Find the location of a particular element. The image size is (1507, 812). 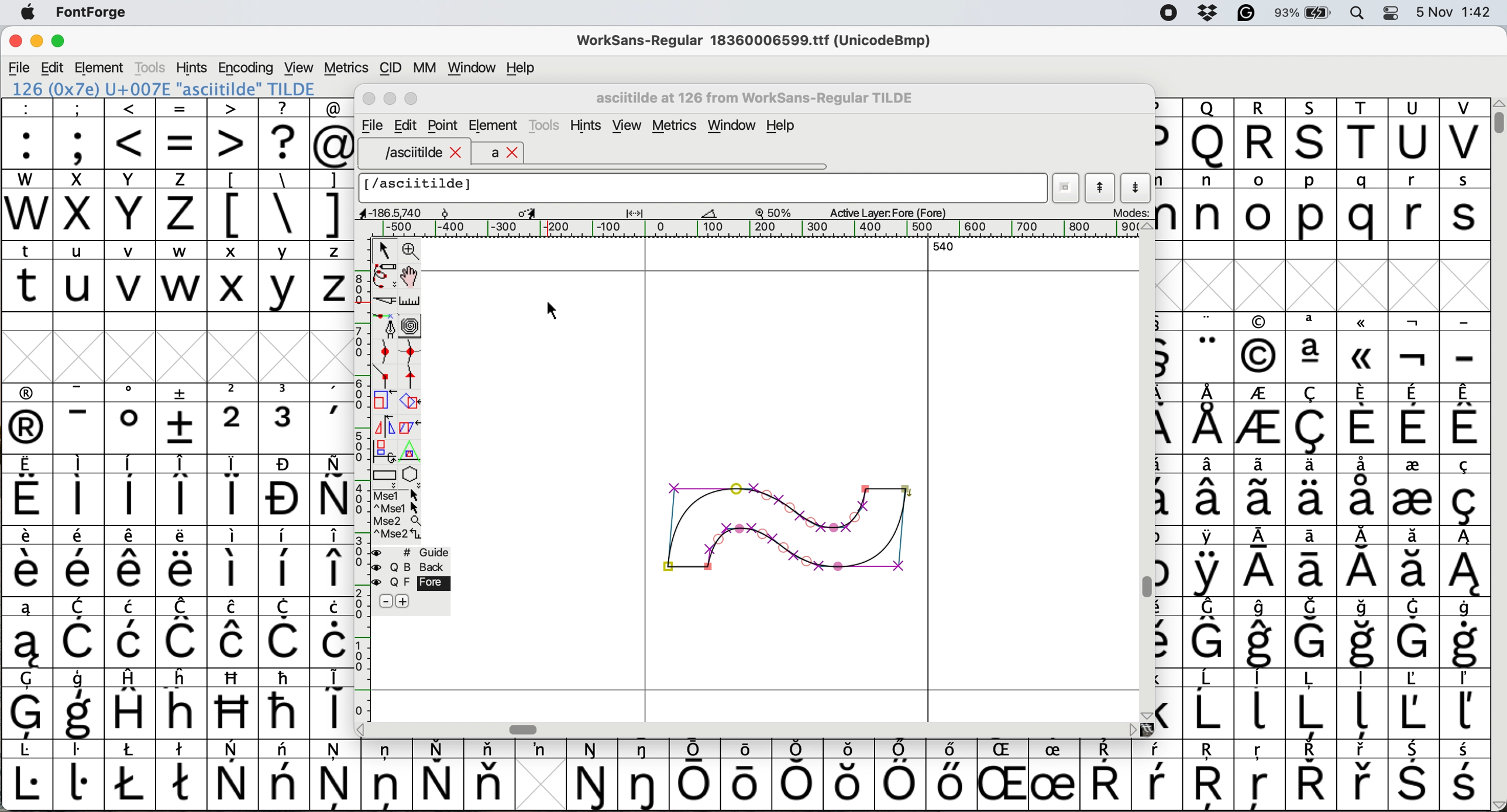

symbol is located at coordinates (489, 774).